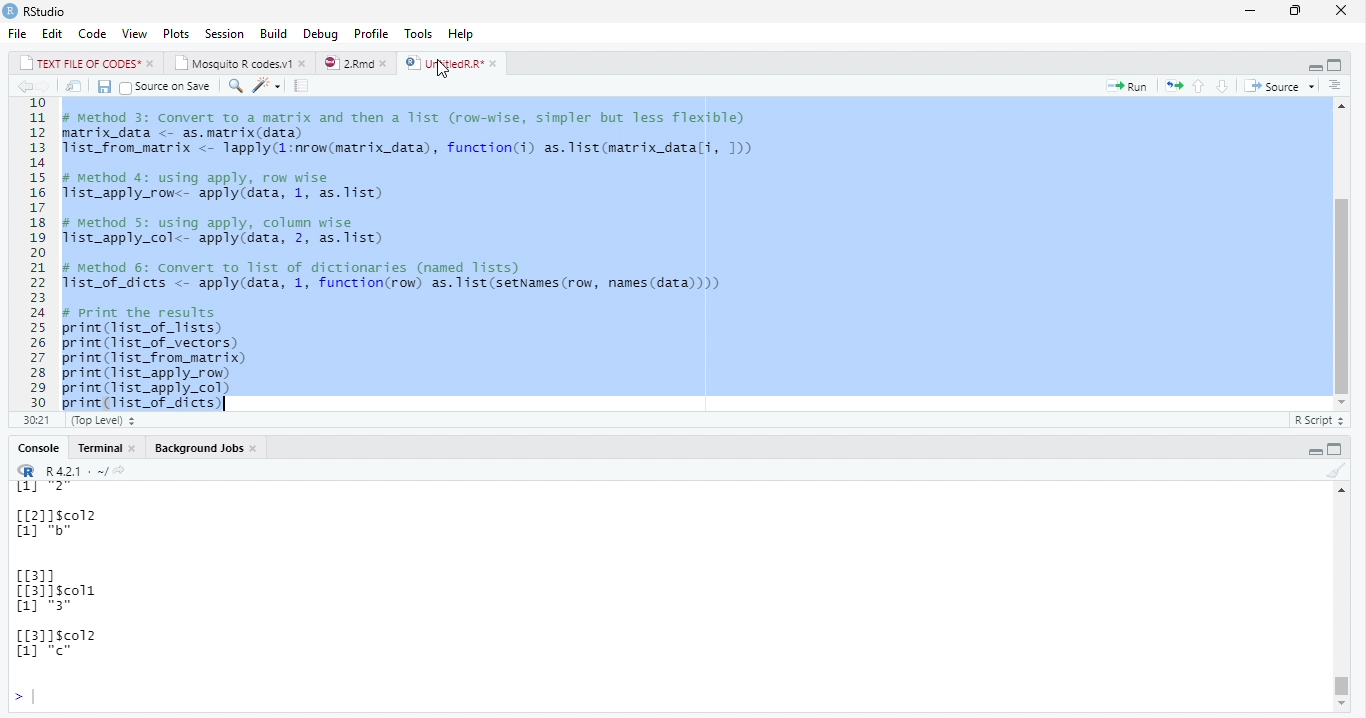 This screenshot has height=718, width=1366. I want to click on R 4.2.1 - ~/, so click(78, 470).